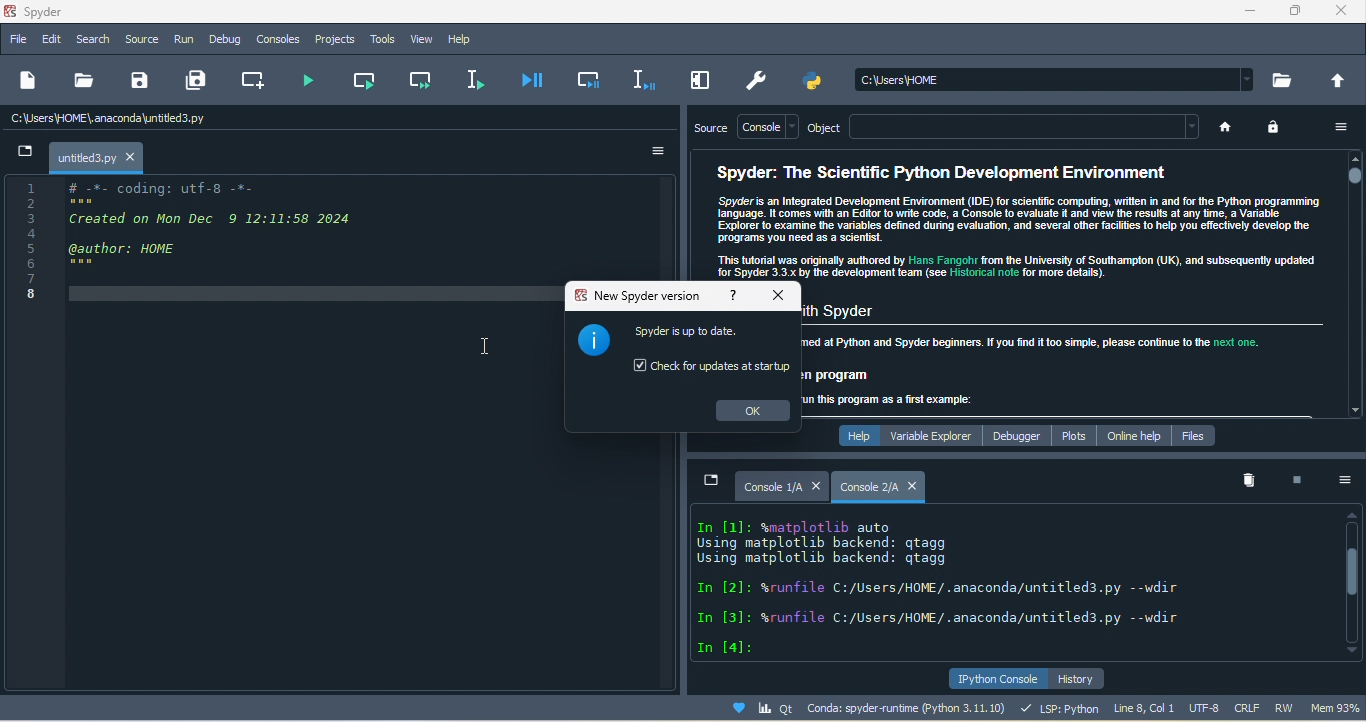 This screenshot has width=1366, height=722. What do you see at coordinates (637, 79) in the screenshot?
I see `debug selection` at bounding box center [637, 79].